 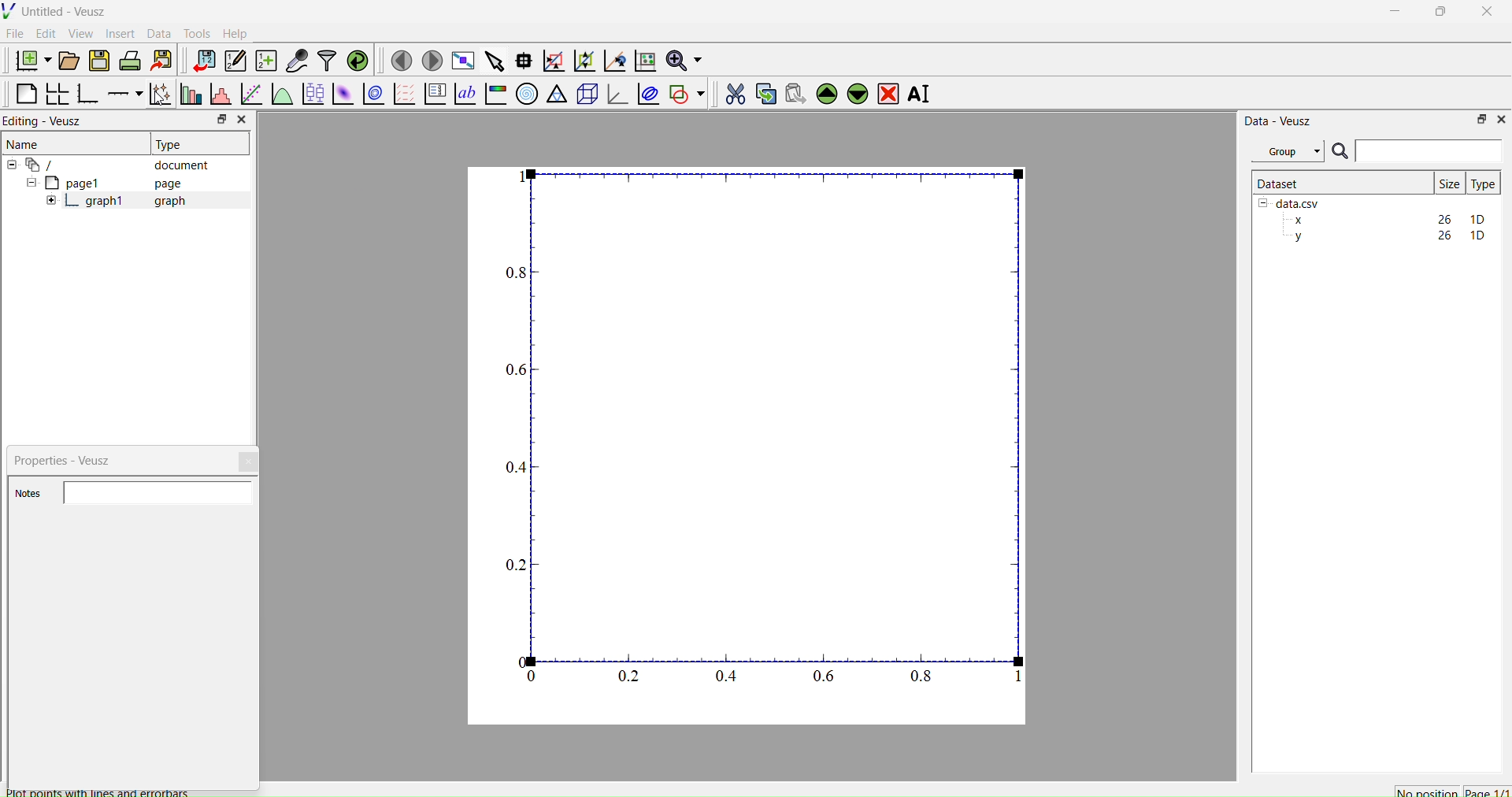 I want to click on Close, so click(x=250, y=462).